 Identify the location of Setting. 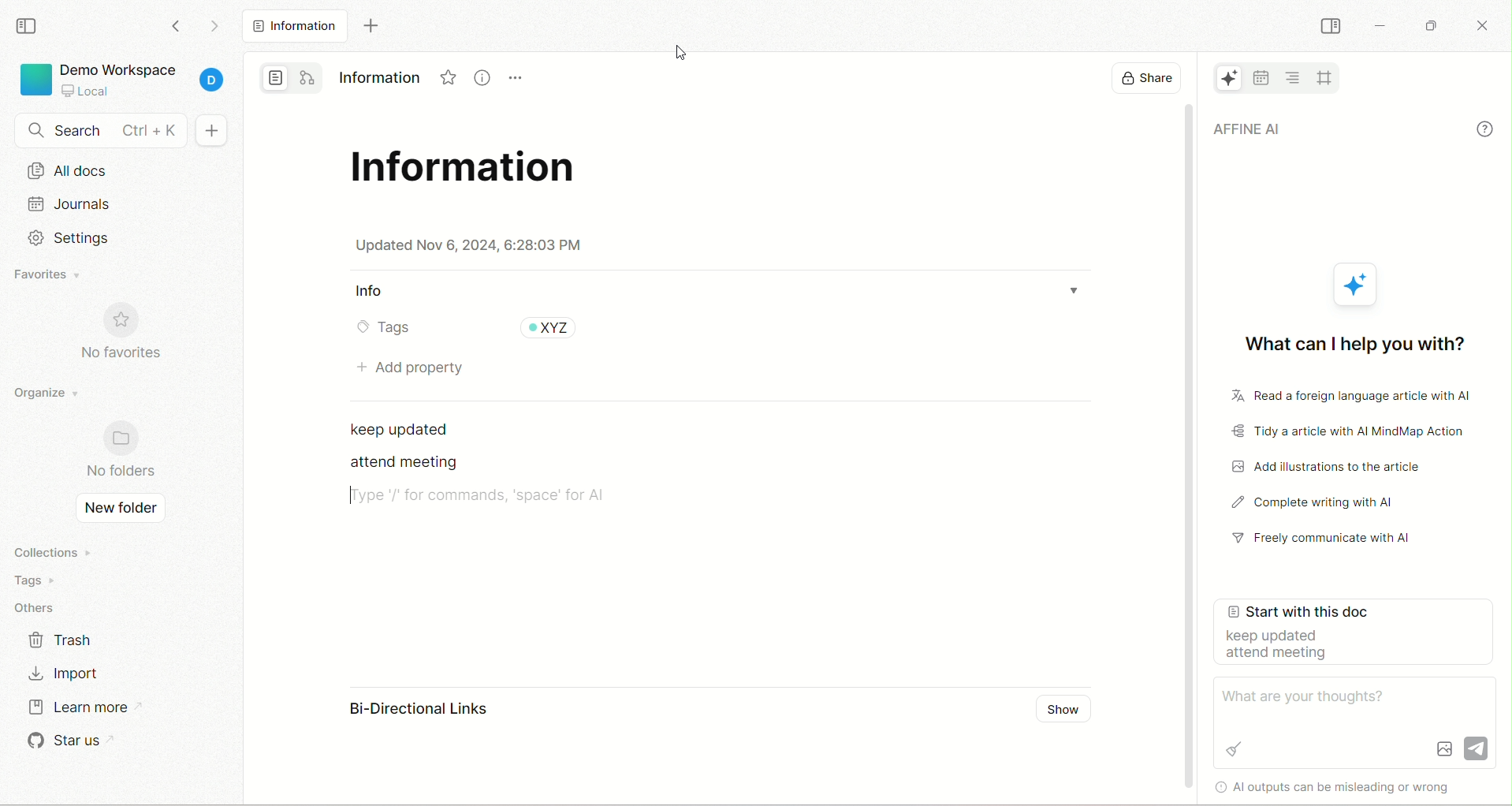
(69, 238).